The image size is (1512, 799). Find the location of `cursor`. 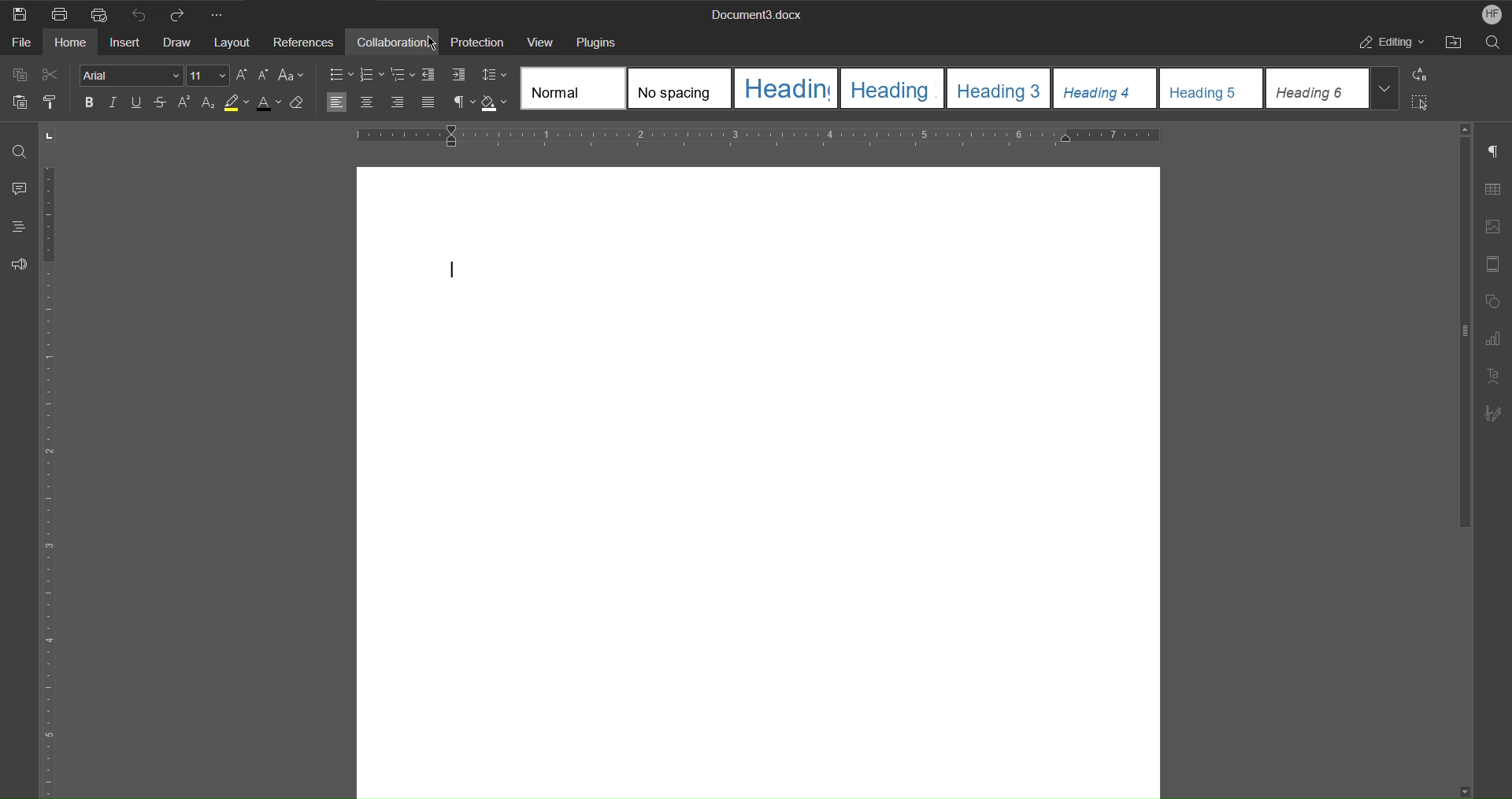

cursor is located at coordinates (427, 44).